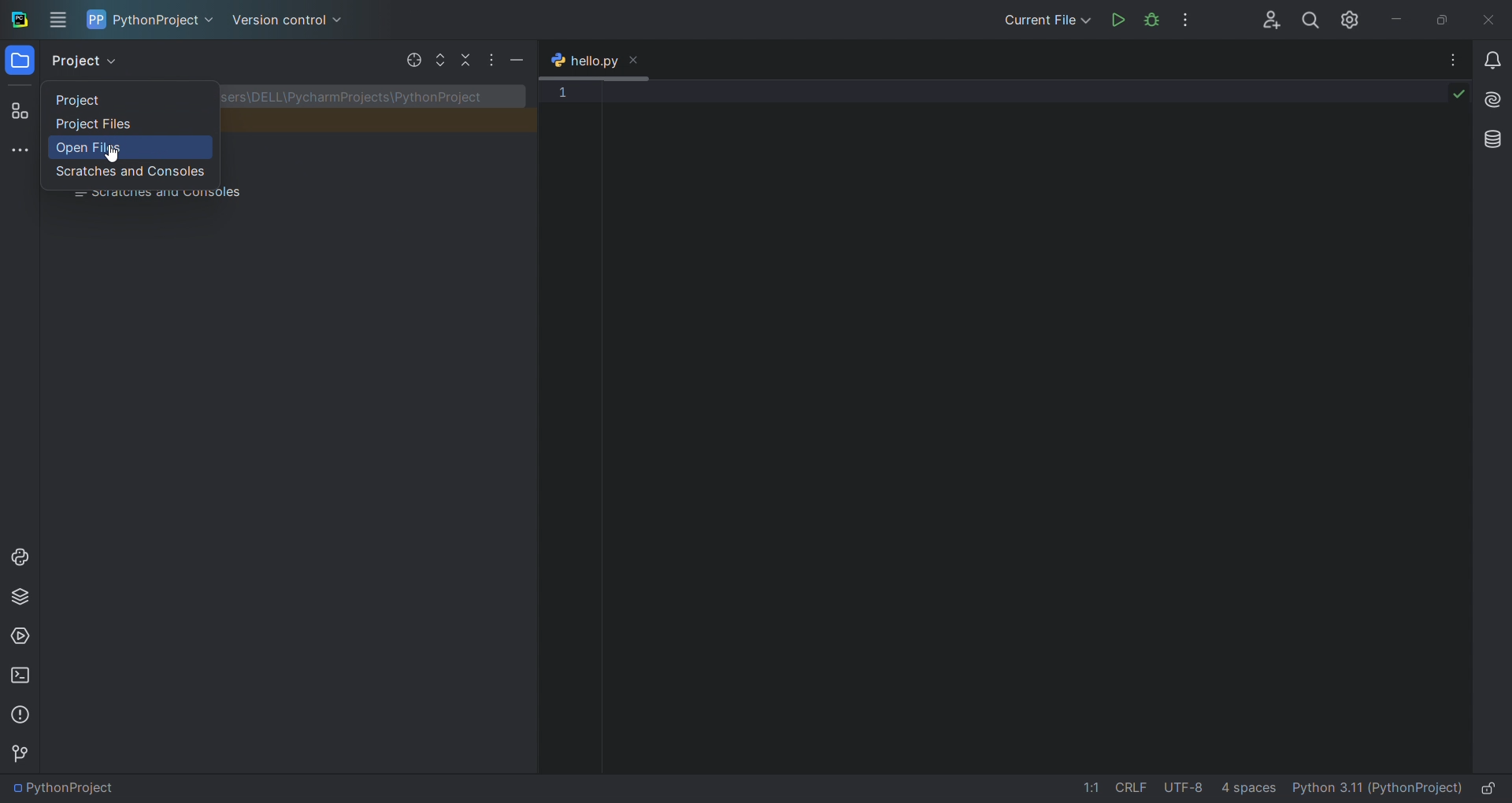 Image resolution: width=1512 pixels, height=803 pixels. I want to click on project, so click(115, 98).